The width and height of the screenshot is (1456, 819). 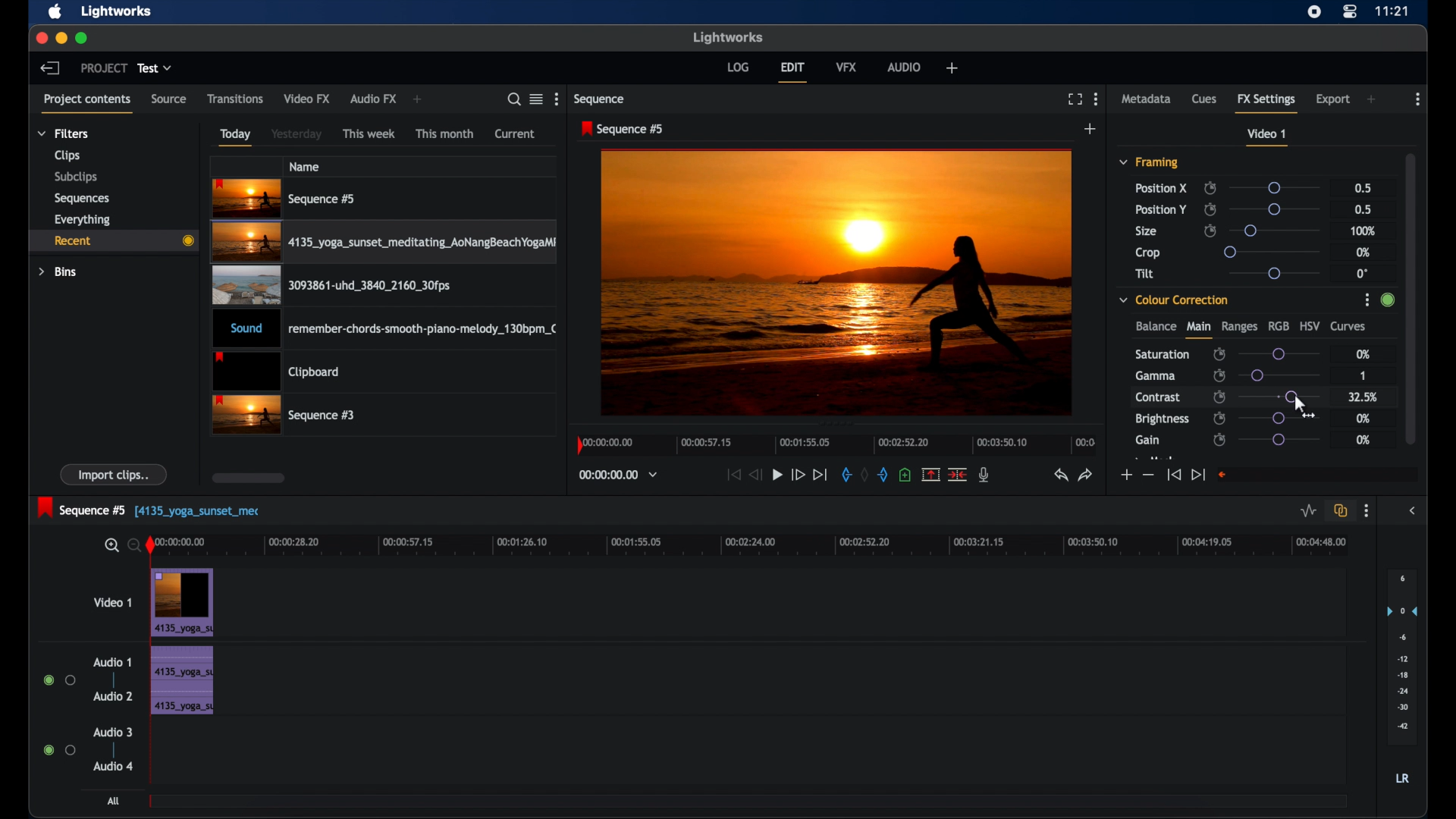 What do you see at coordinates (297, 134) in the screenshot?
I see `yesterday` at bounding box center [297, 134].